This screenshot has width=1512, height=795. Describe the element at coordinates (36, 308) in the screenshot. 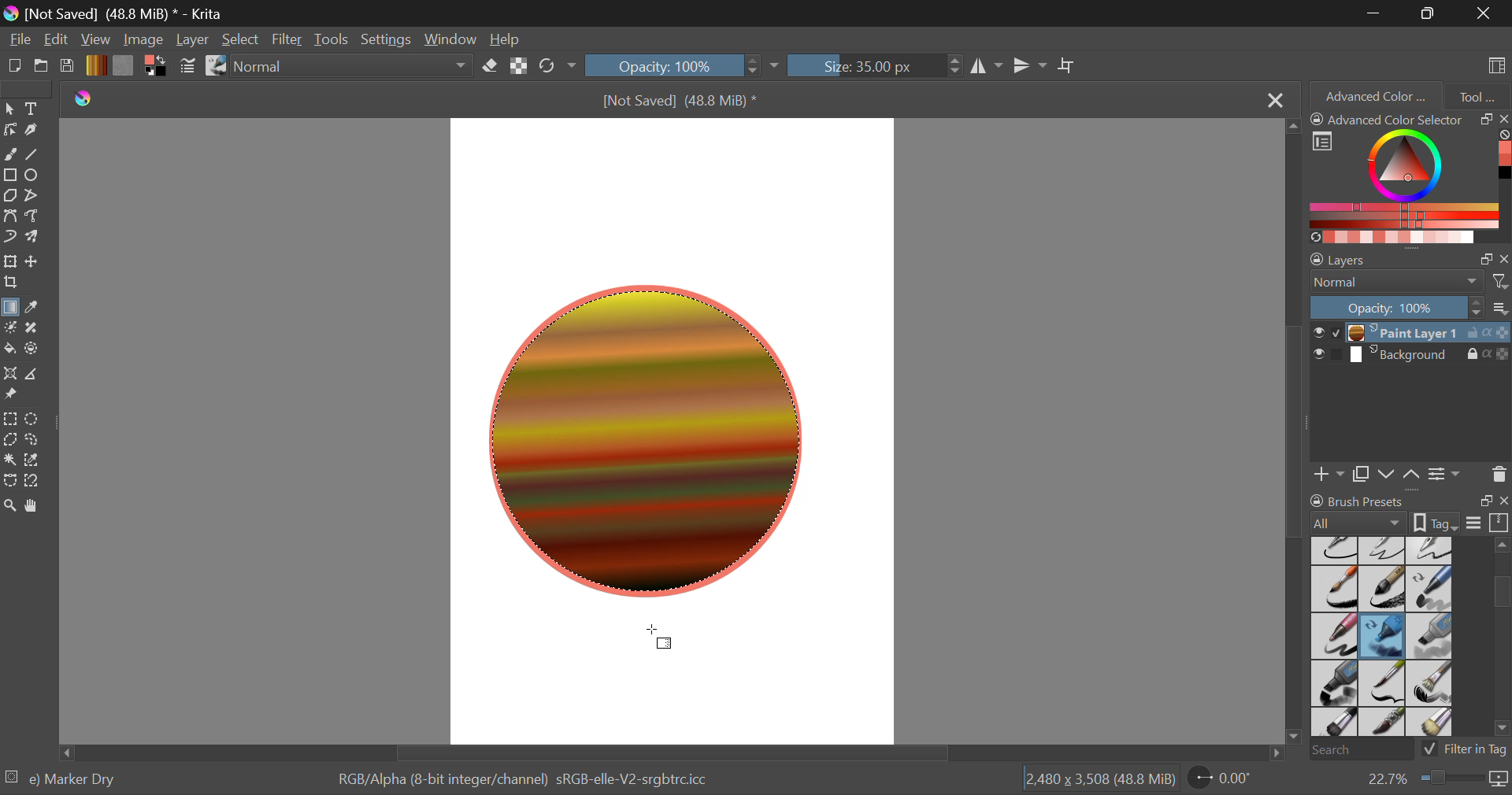

I see `Eyedropper` at that location.